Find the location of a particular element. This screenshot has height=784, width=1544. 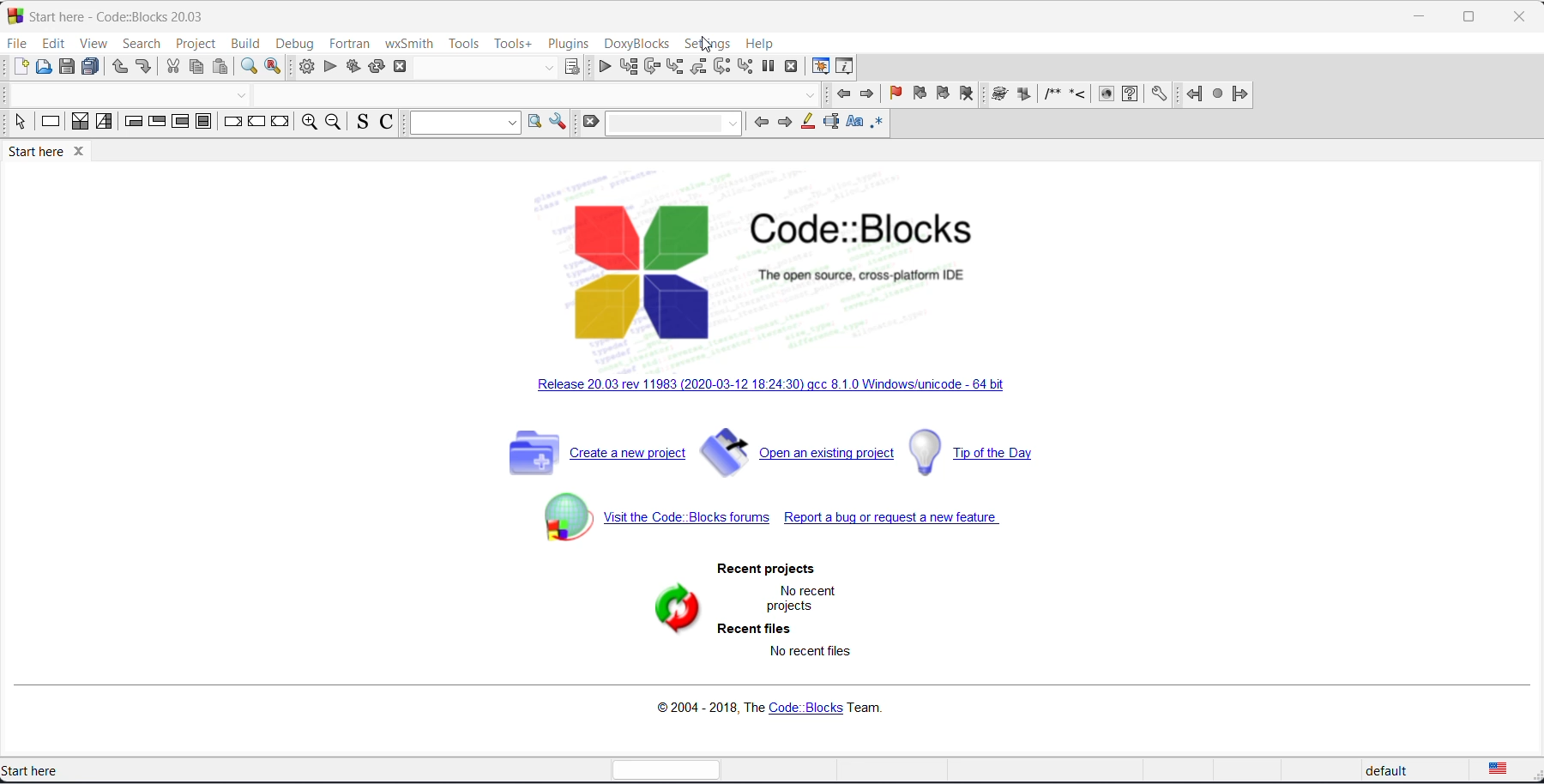

open existing project is located at coordinates (799, 451).